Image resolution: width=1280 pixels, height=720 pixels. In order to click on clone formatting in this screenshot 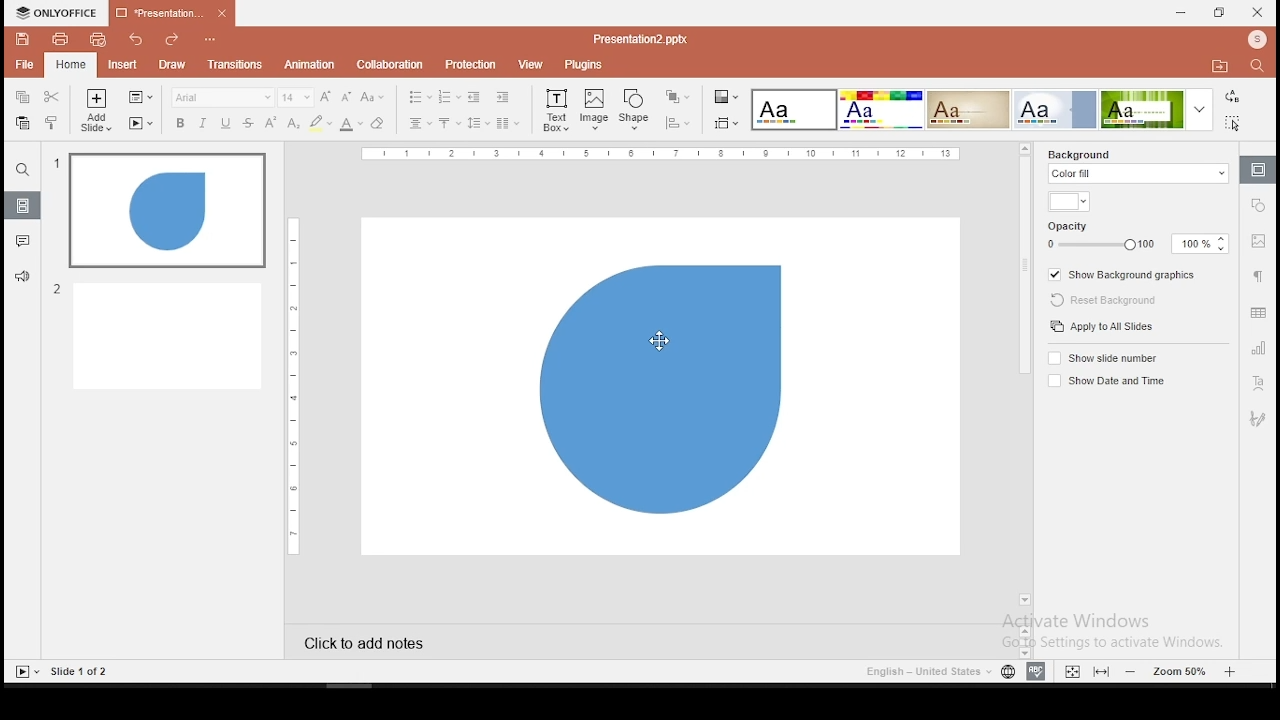, I will do `click(52, 121)`.